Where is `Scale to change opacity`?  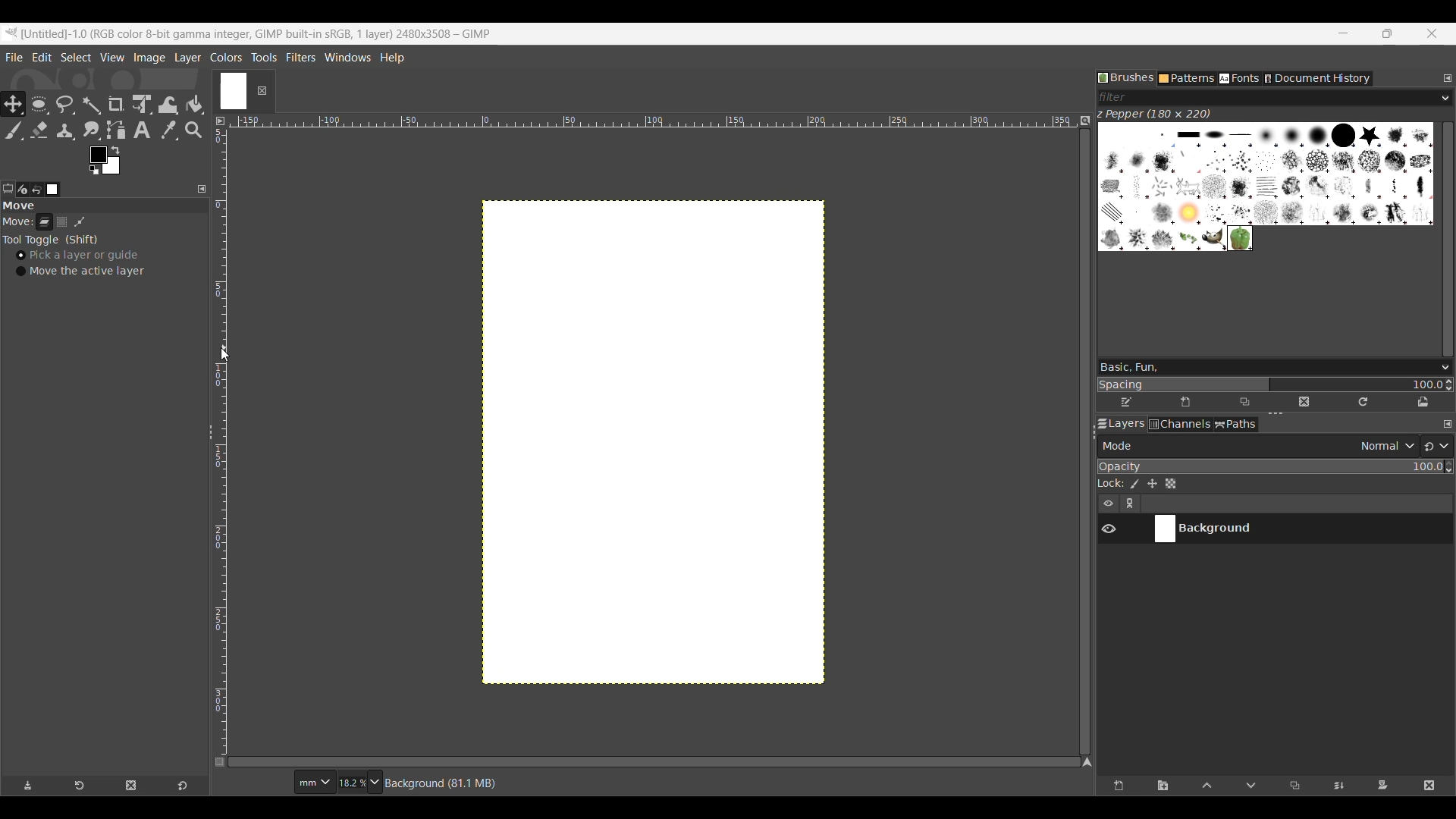
Scale to change opacity is located at coordinates (1271, 466).